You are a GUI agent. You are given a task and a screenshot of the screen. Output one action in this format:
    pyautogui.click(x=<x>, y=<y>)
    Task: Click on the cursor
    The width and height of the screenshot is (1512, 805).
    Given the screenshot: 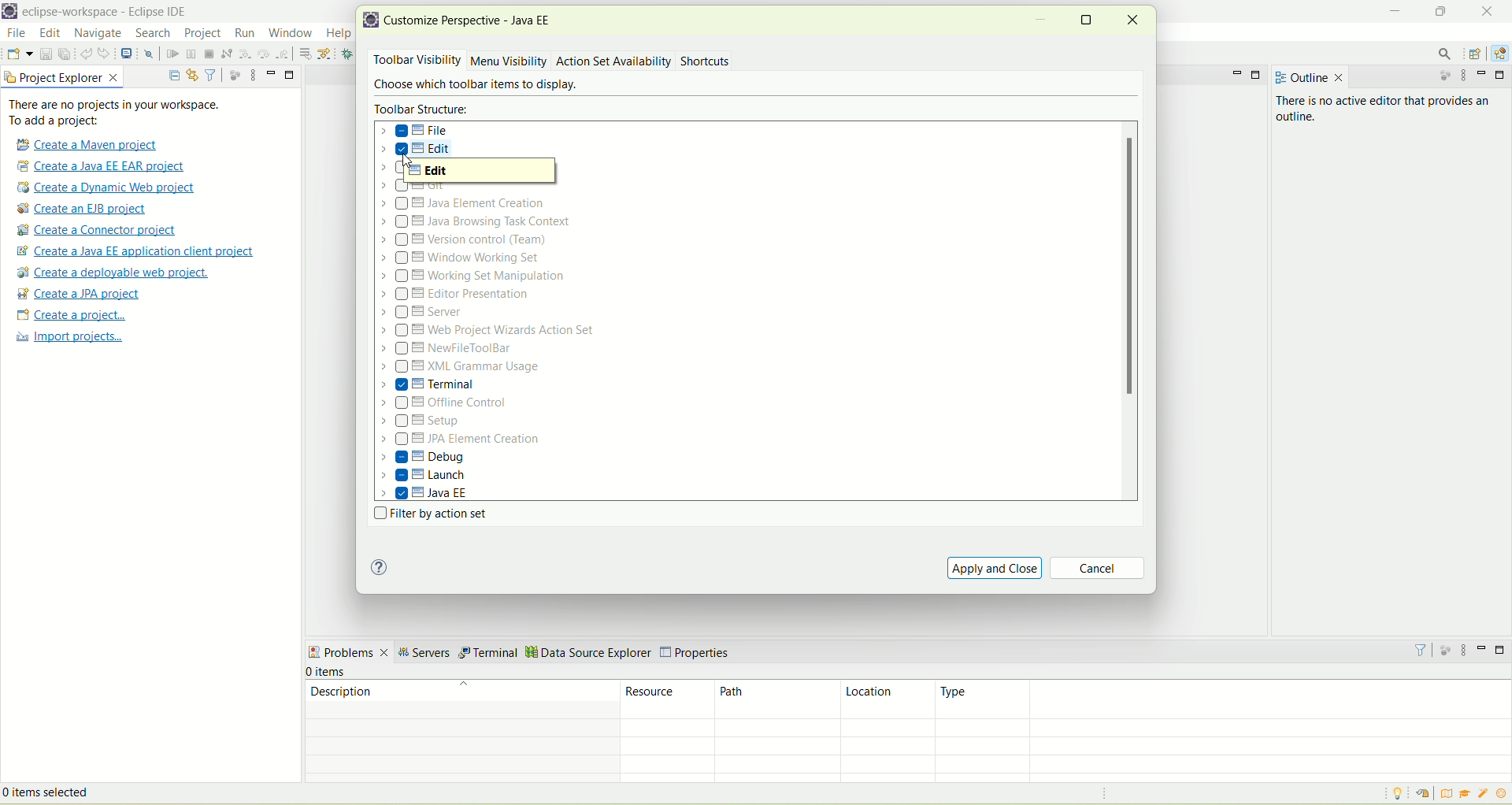 What is the action you would take?
    pyautogui.click(x=291, y=43)
    